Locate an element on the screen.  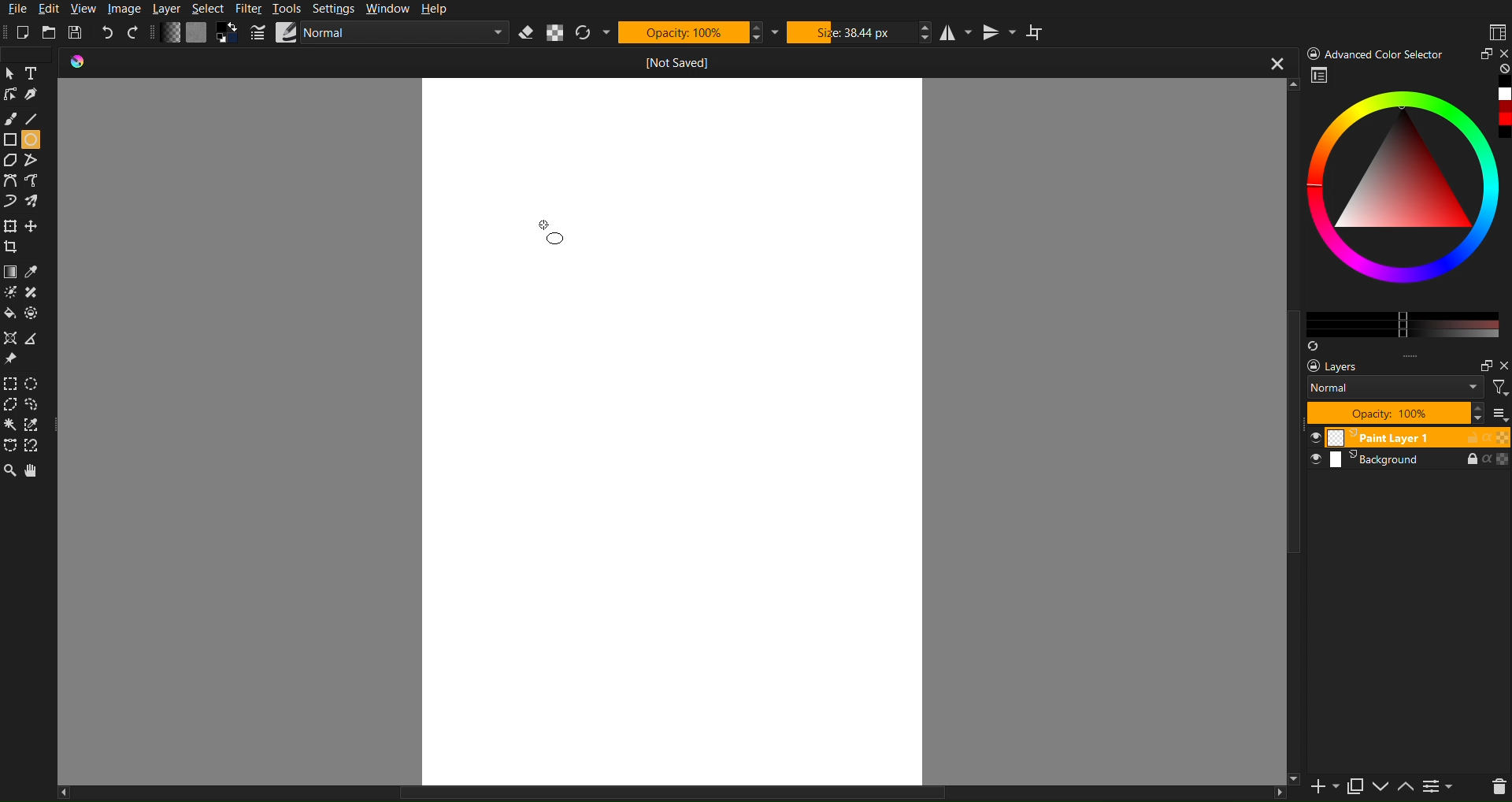
Selction dropper is located at coordinates (35, 426).